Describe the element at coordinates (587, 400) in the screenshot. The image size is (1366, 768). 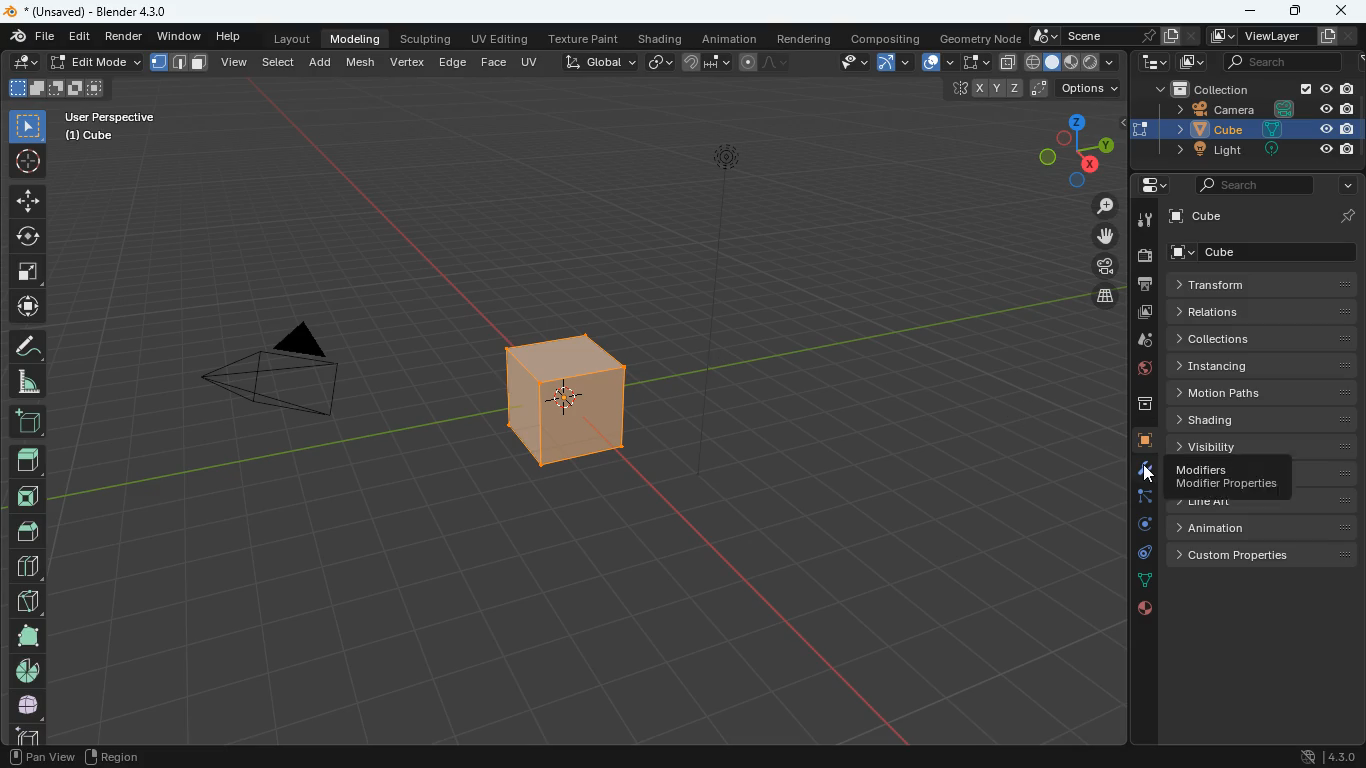
I see `cube` at that location.